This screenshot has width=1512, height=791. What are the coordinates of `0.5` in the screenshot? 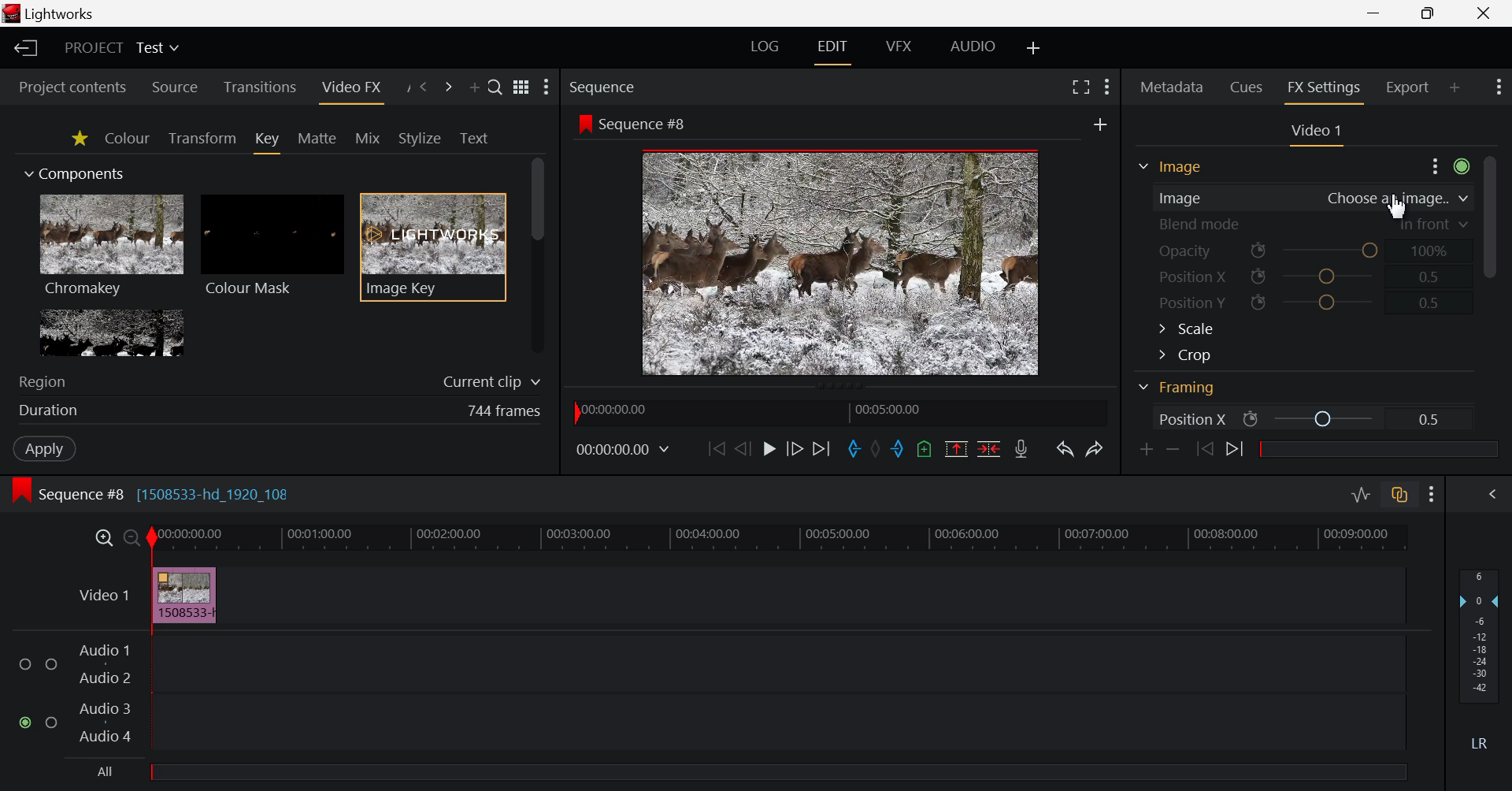 It's located at (1432, 303).